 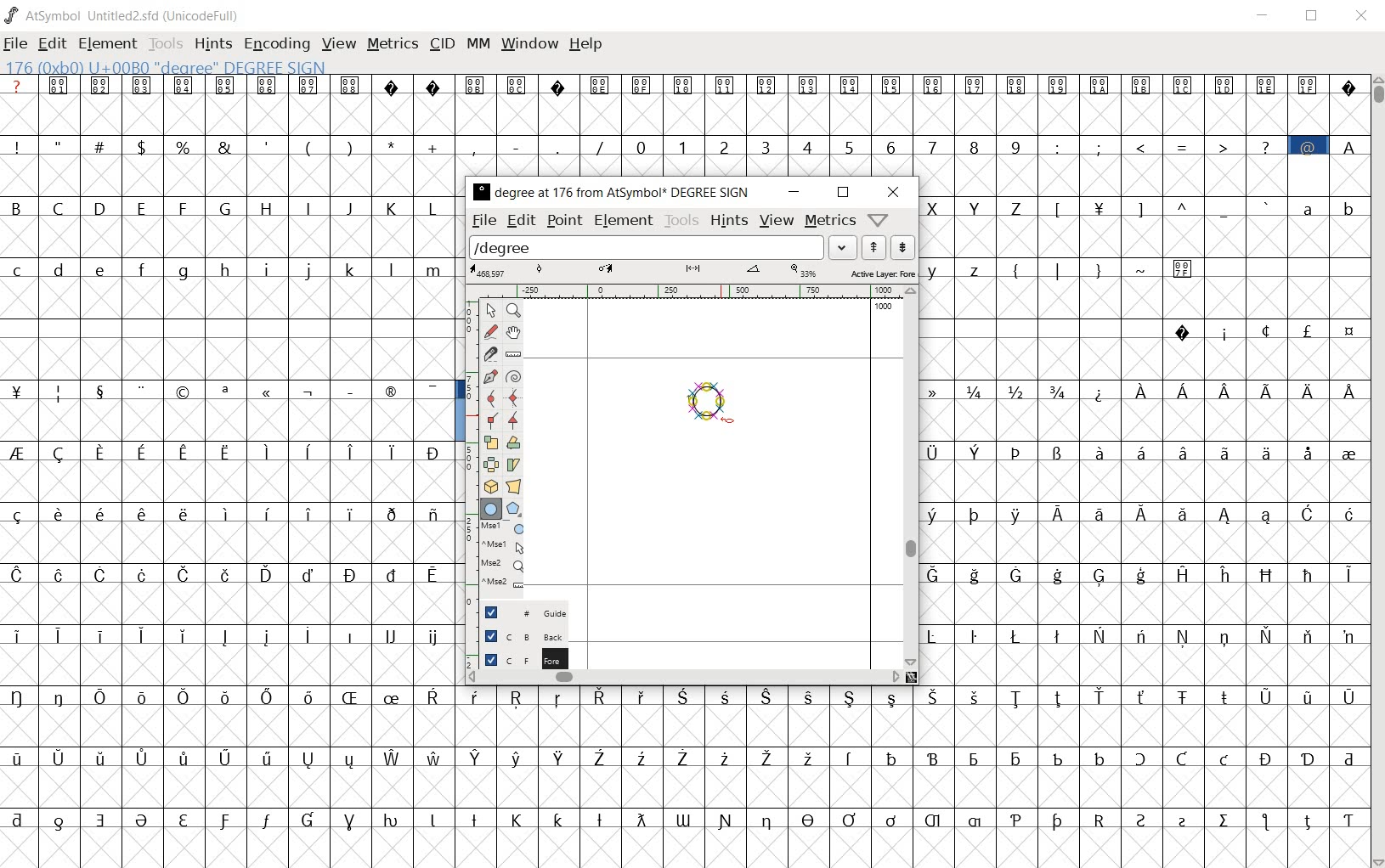 I want to click on empty glyph slots, so click(x=234, y=603).